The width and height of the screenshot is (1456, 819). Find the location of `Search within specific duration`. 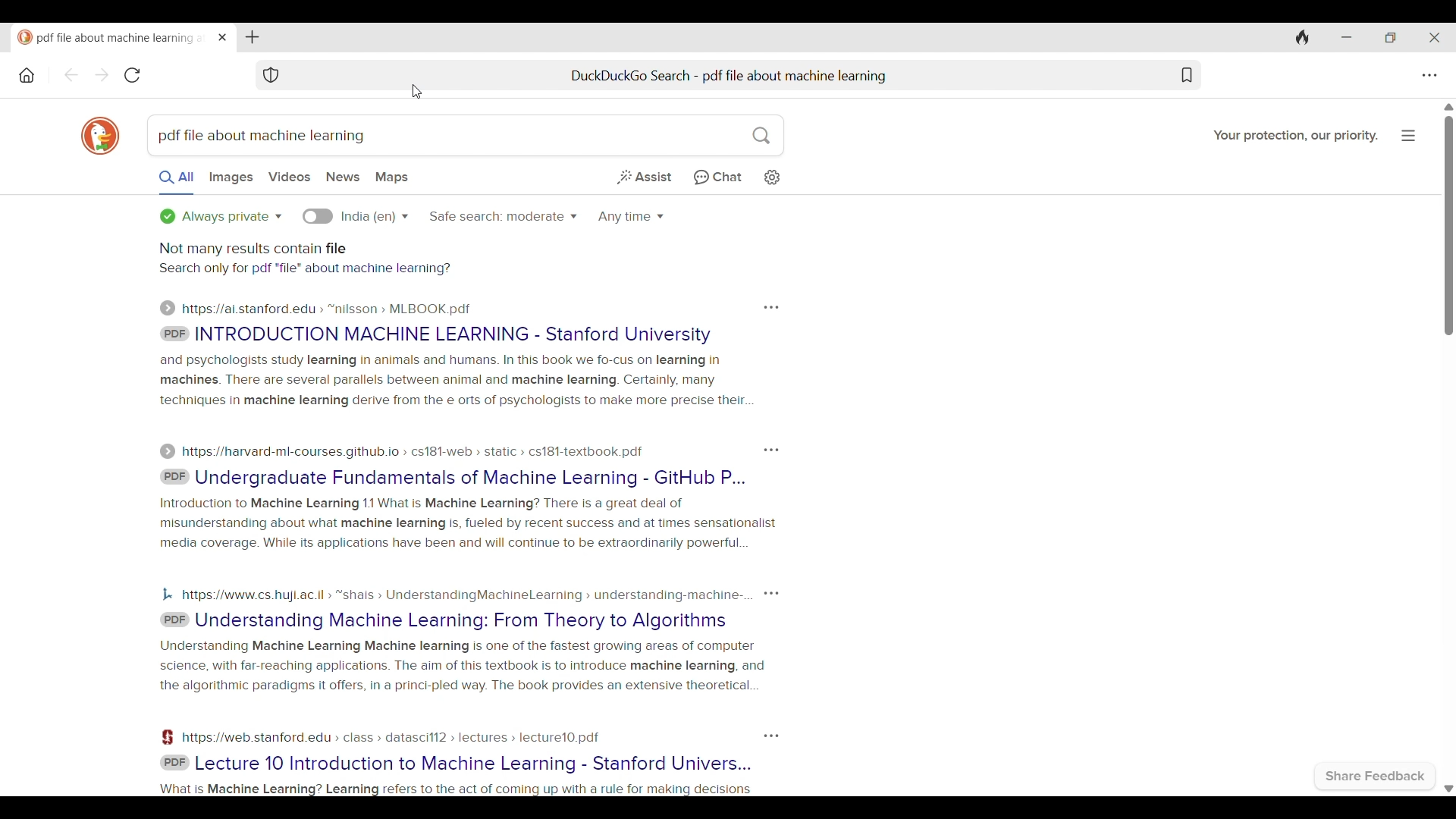

Search within specific duration is located at coordinates (631, 218).